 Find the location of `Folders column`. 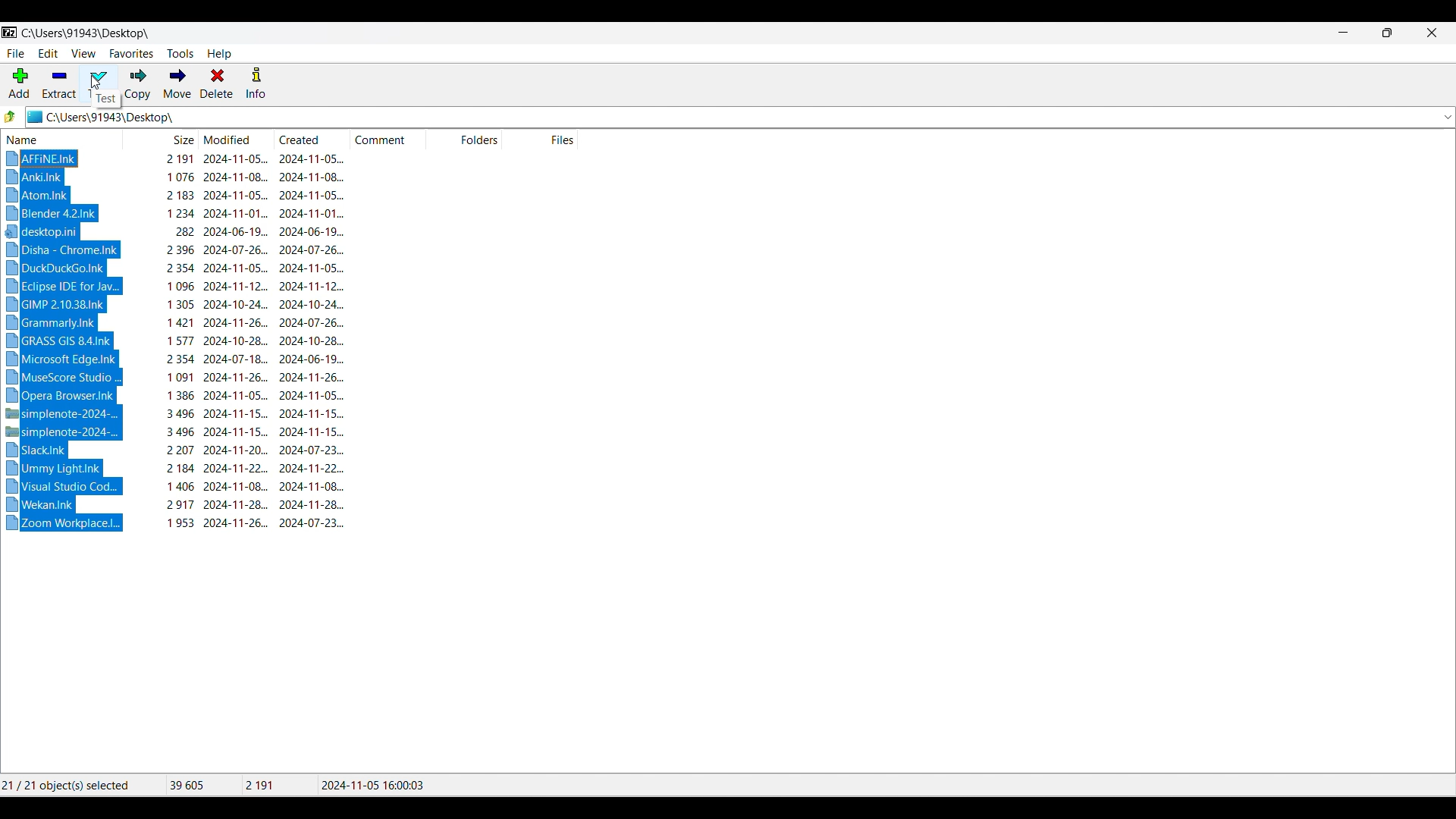

Folders column is located at coordinates (463, 138).